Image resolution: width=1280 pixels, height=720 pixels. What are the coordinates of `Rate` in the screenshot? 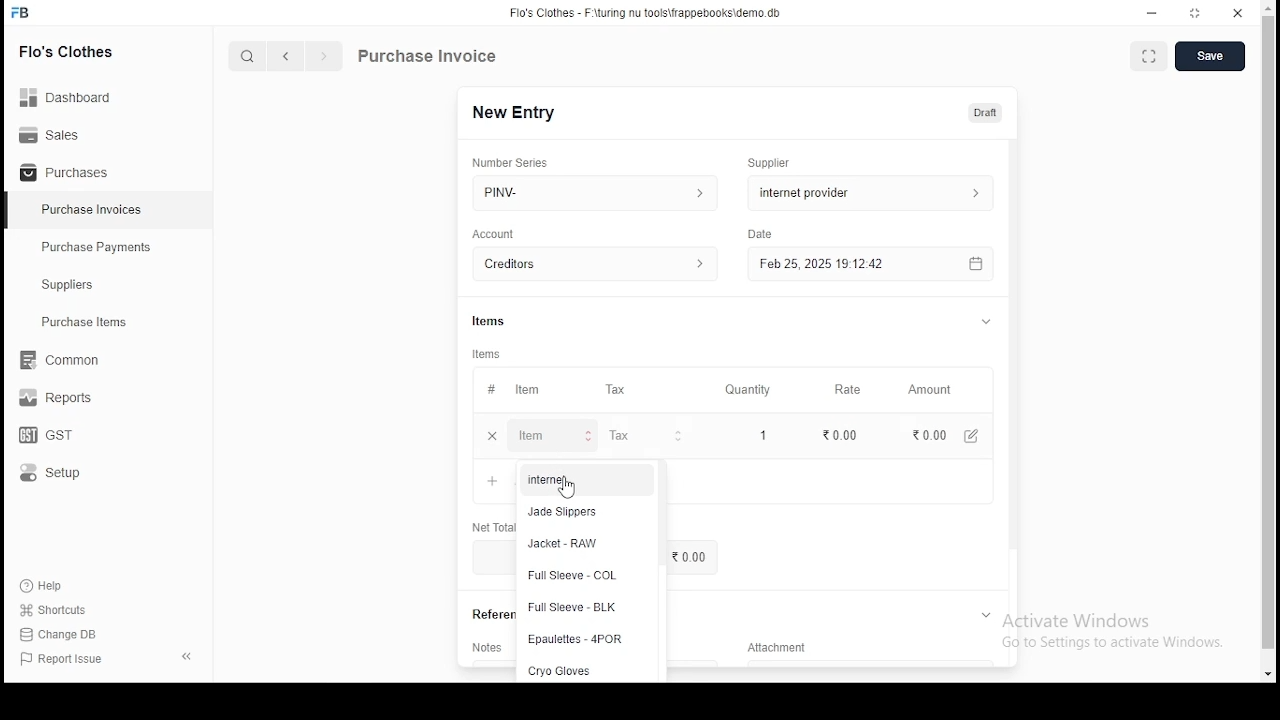 It's located at (857, 389).